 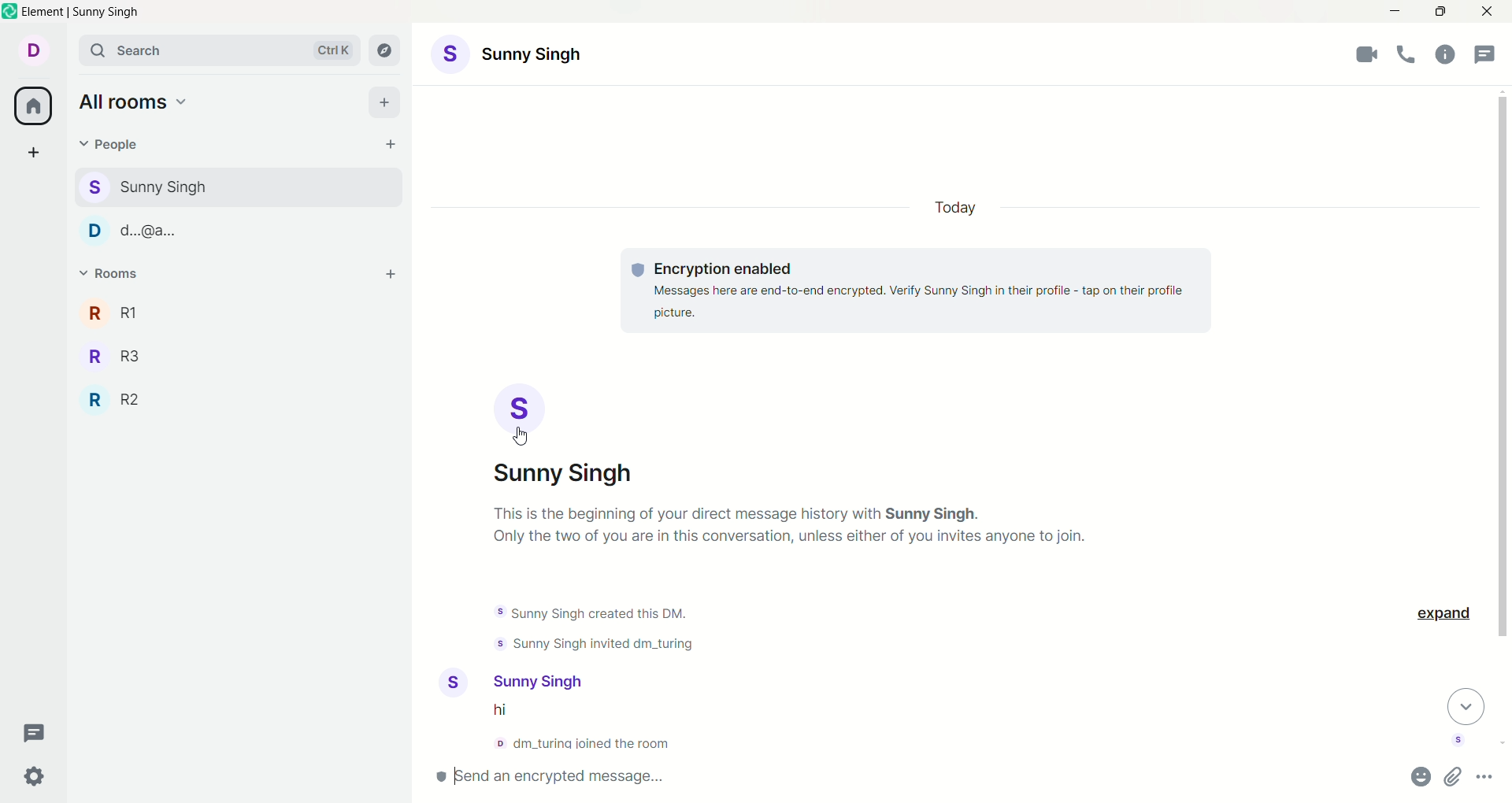 What do you see at coordinates (571, 435) in the screenshot?
I see `account` at bounding box center [571, 435].